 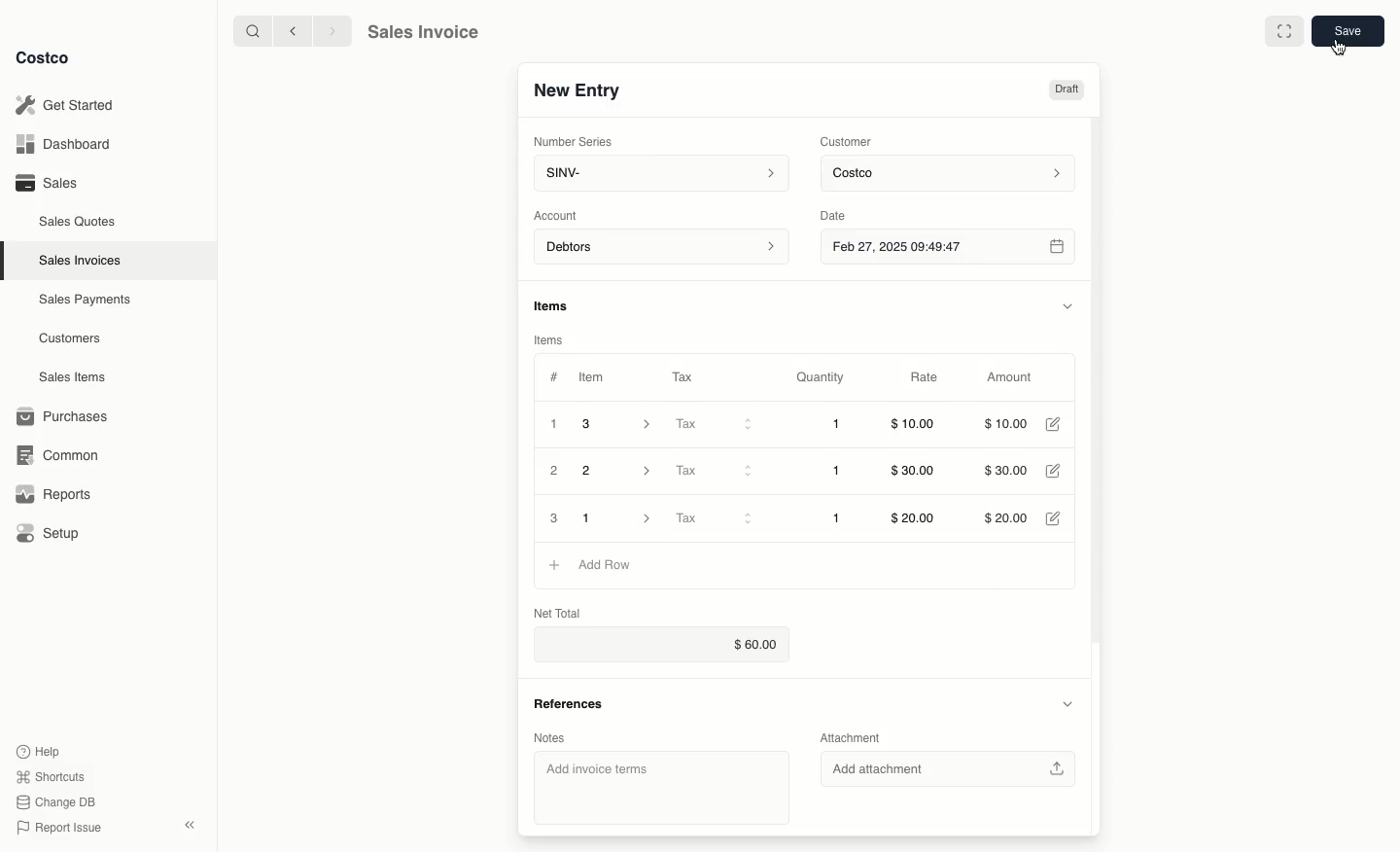 I want to click on $20.00, so click(x=915, y=518).